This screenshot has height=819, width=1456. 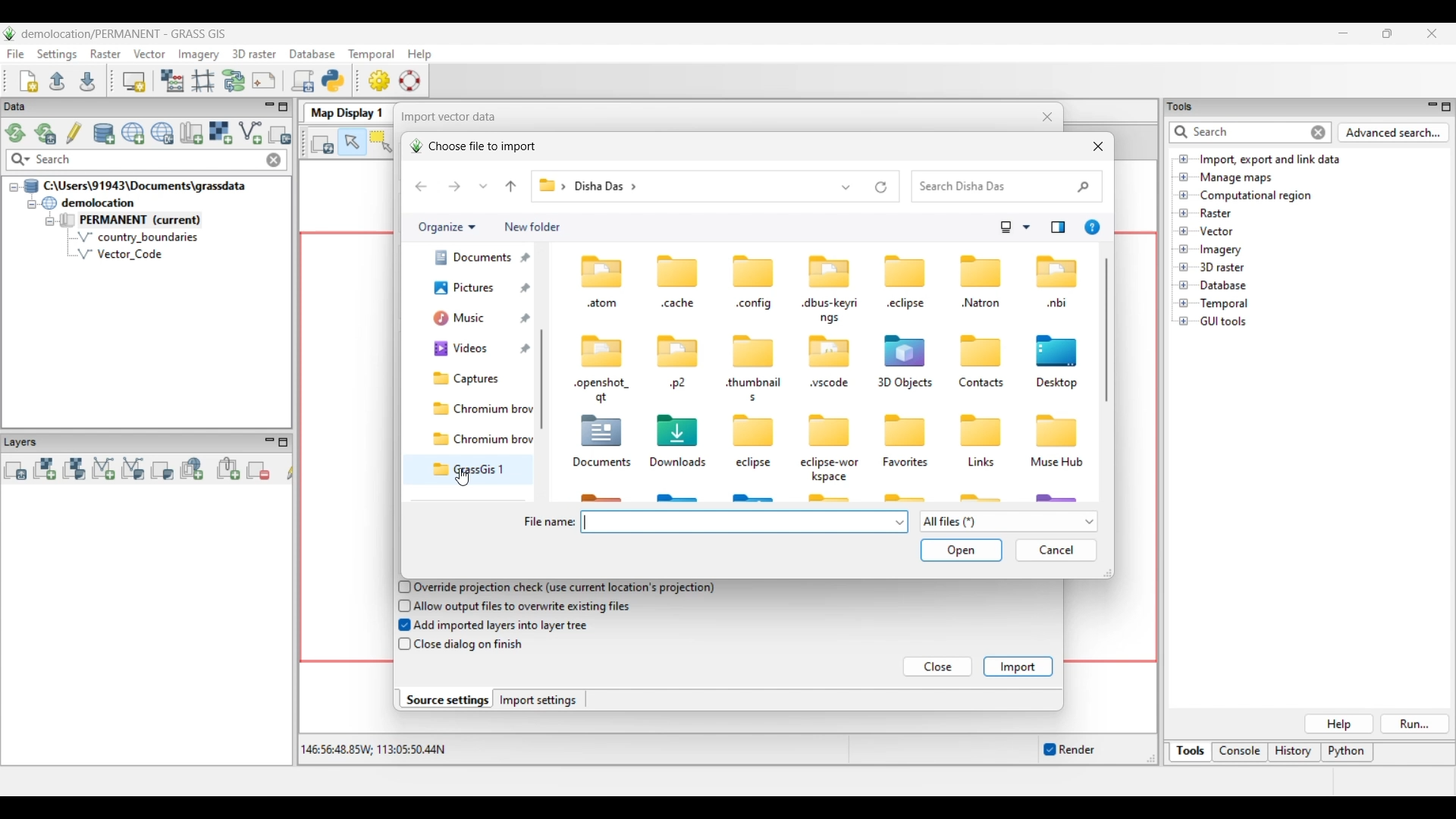 What do you see at coordinates (16, 54) in the screenshot?
I see `File menu` at bounding box center [16, 54].